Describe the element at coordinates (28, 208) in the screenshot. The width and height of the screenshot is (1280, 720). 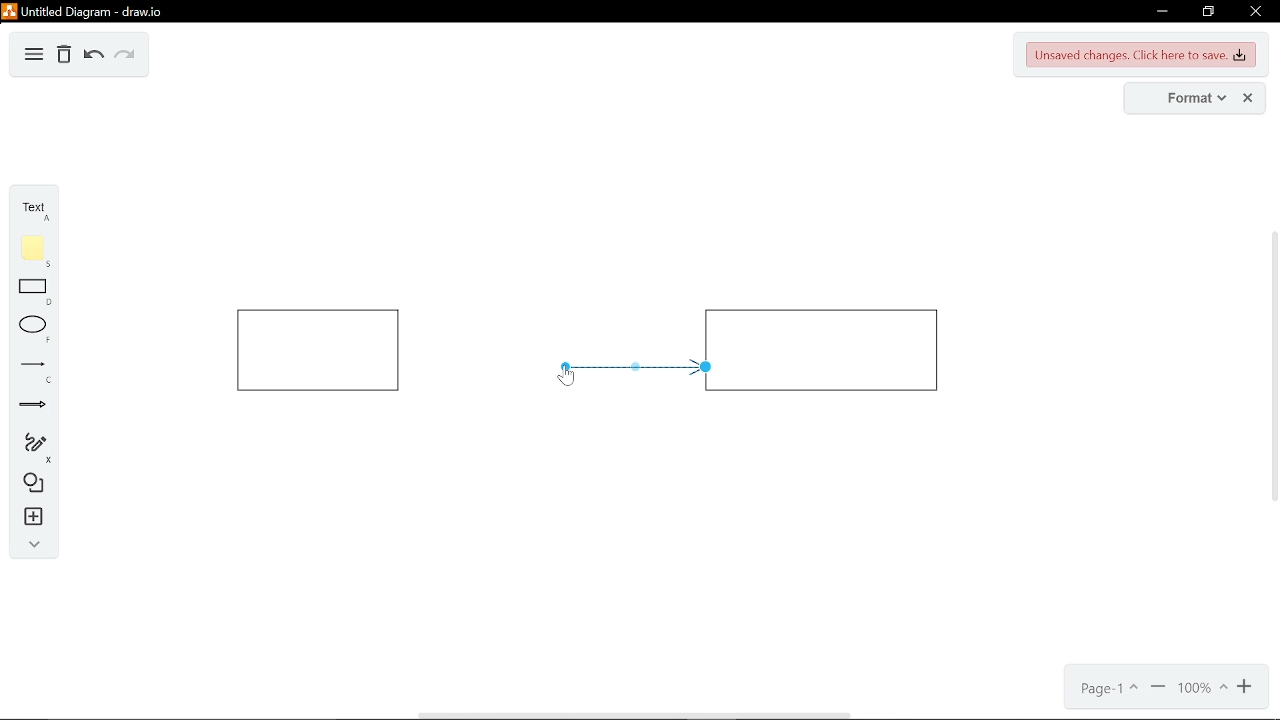
I see `text` at that location.